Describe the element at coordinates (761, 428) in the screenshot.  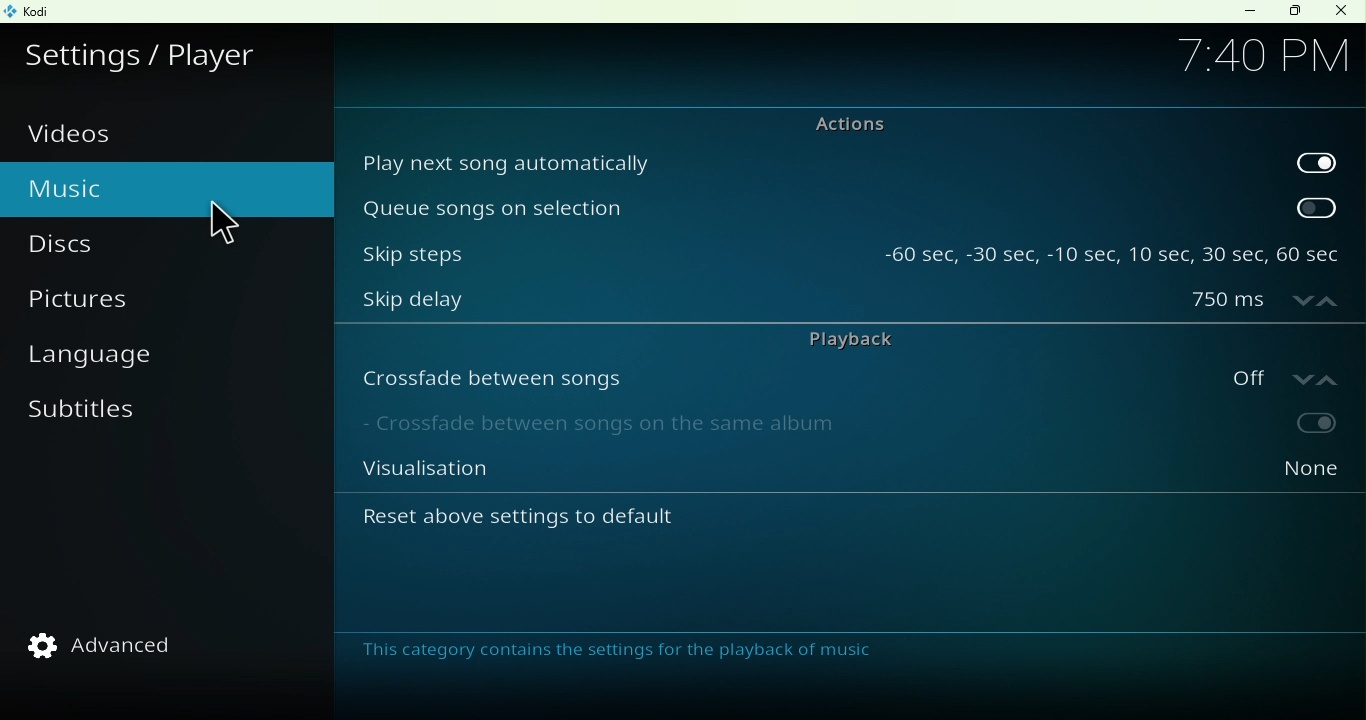
I see `Crossfade between songs on the same album` at that location.